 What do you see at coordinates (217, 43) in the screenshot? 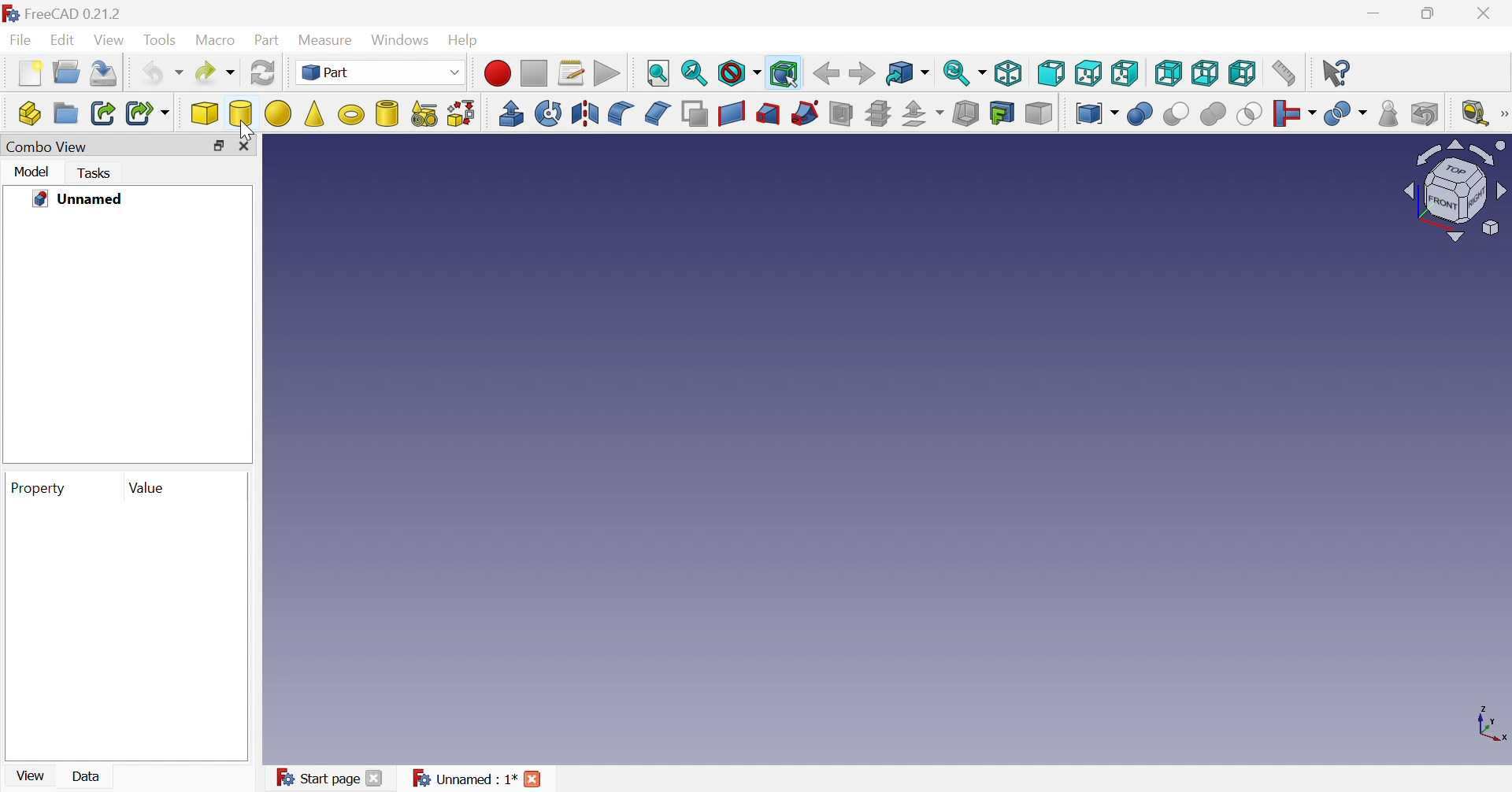
I see `Macro` at bounding box center [217, 43].